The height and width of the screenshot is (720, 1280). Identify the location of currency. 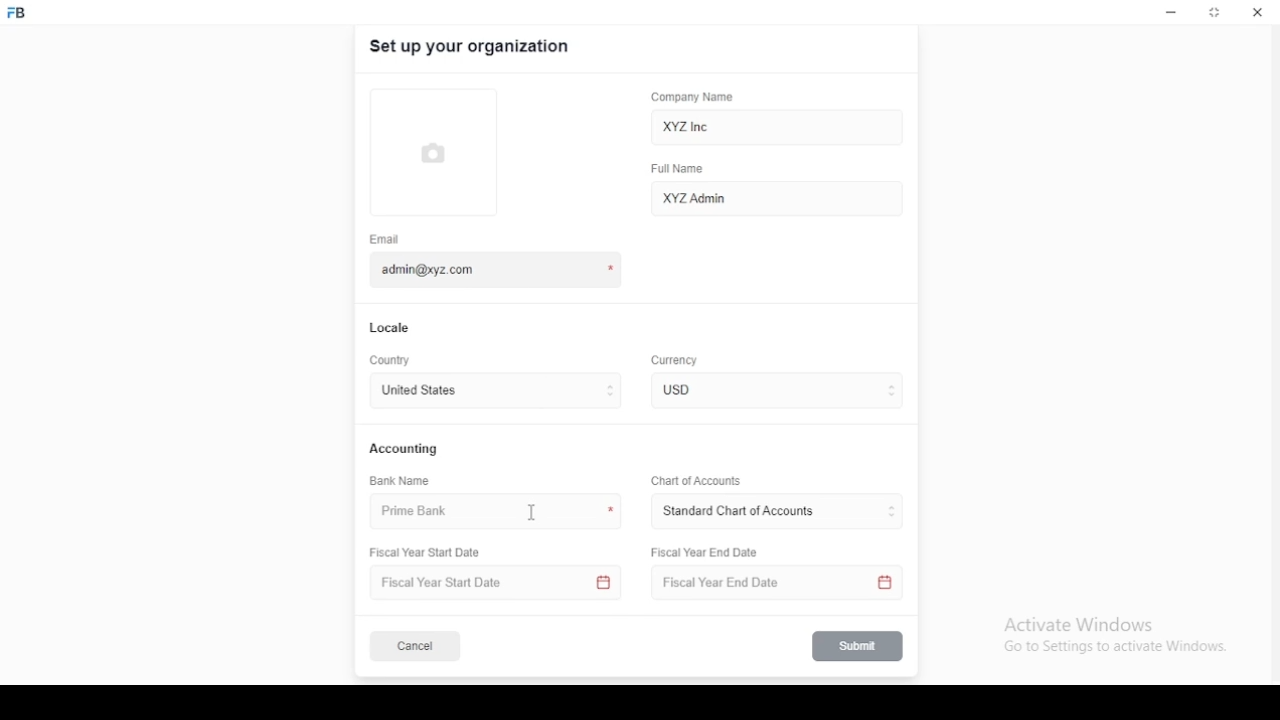
(689, 390).